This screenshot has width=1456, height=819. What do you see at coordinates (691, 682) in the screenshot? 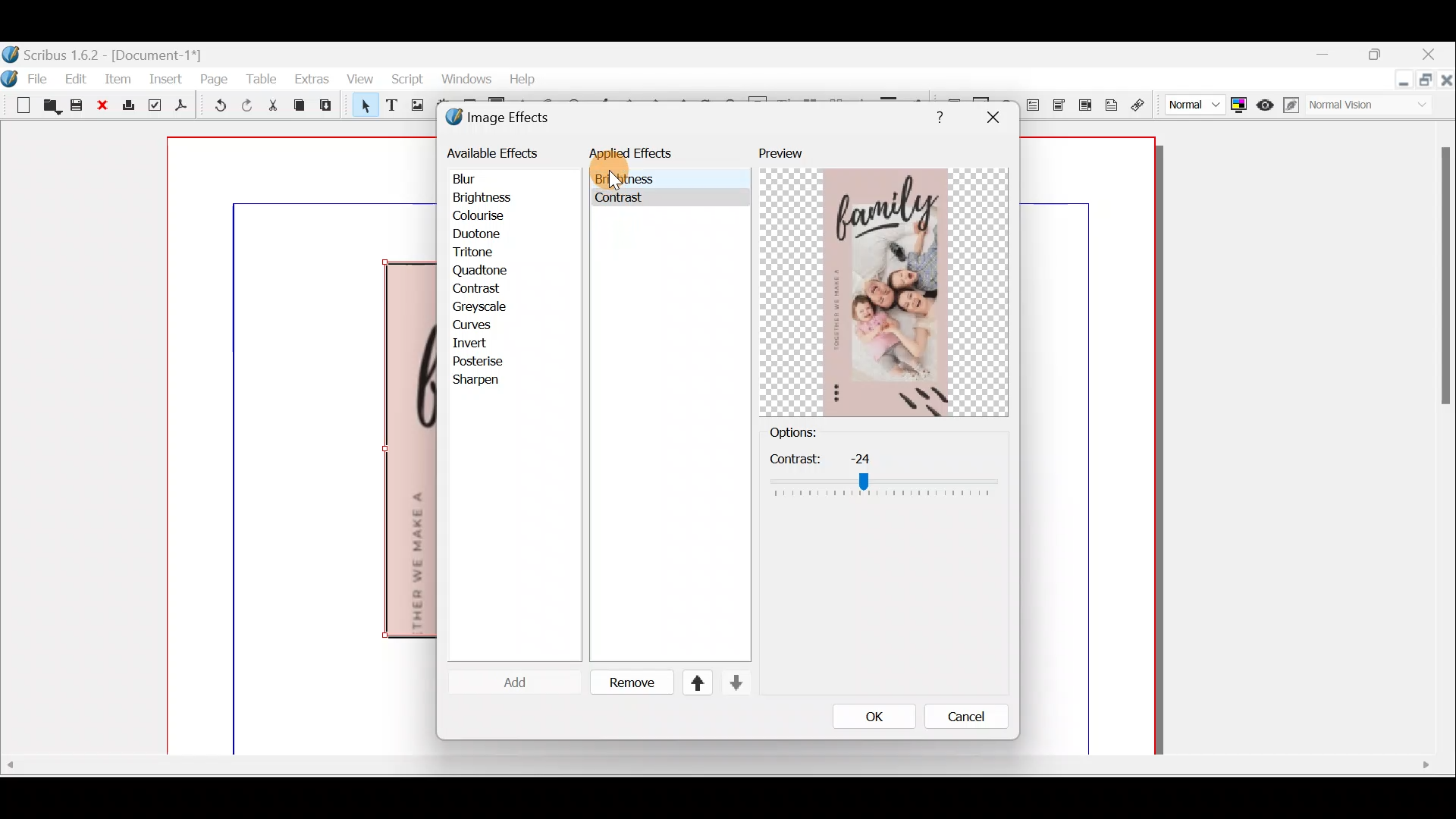
I see `Move up` at bounding box center [691, 682].